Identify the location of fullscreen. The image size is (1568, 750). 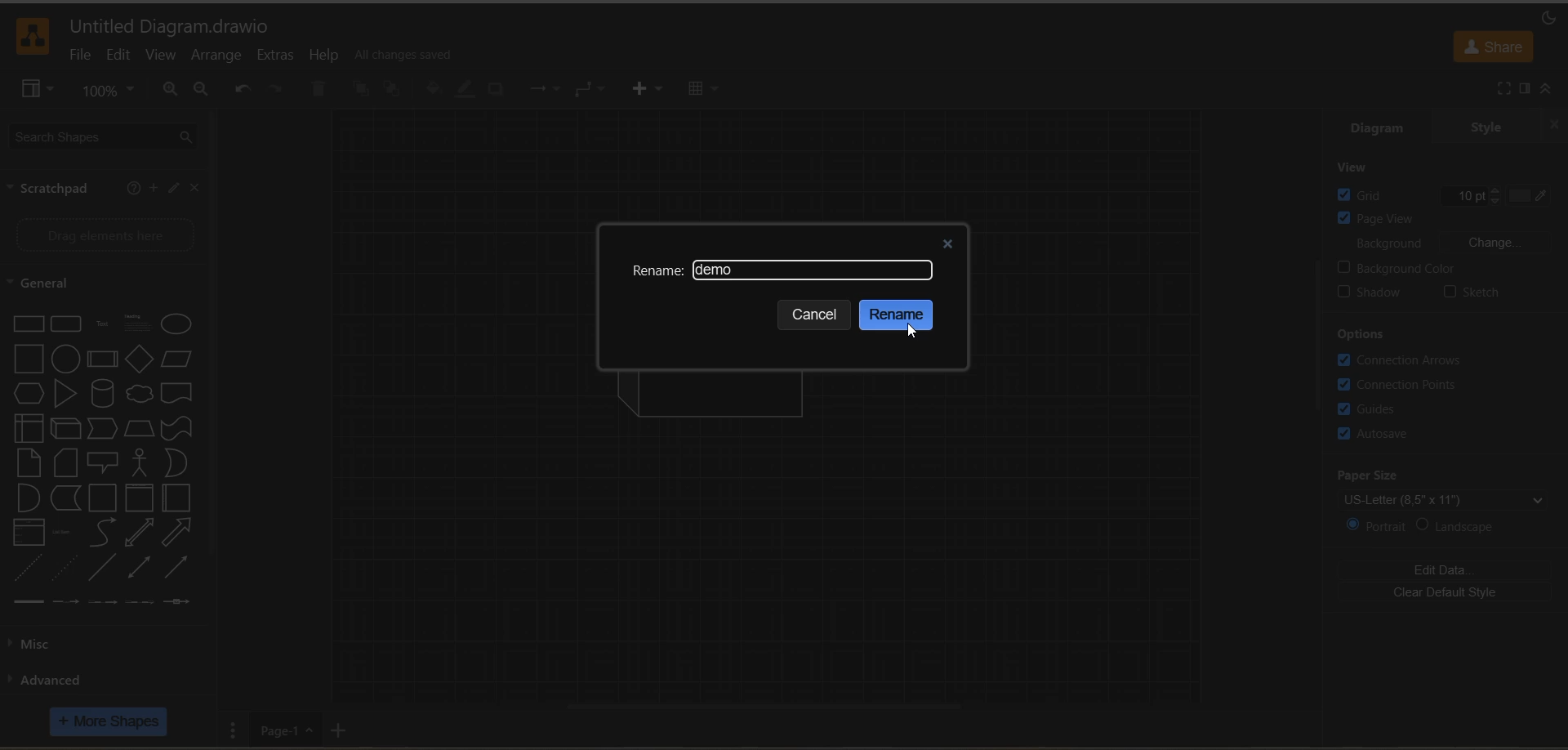
(1504, 89).